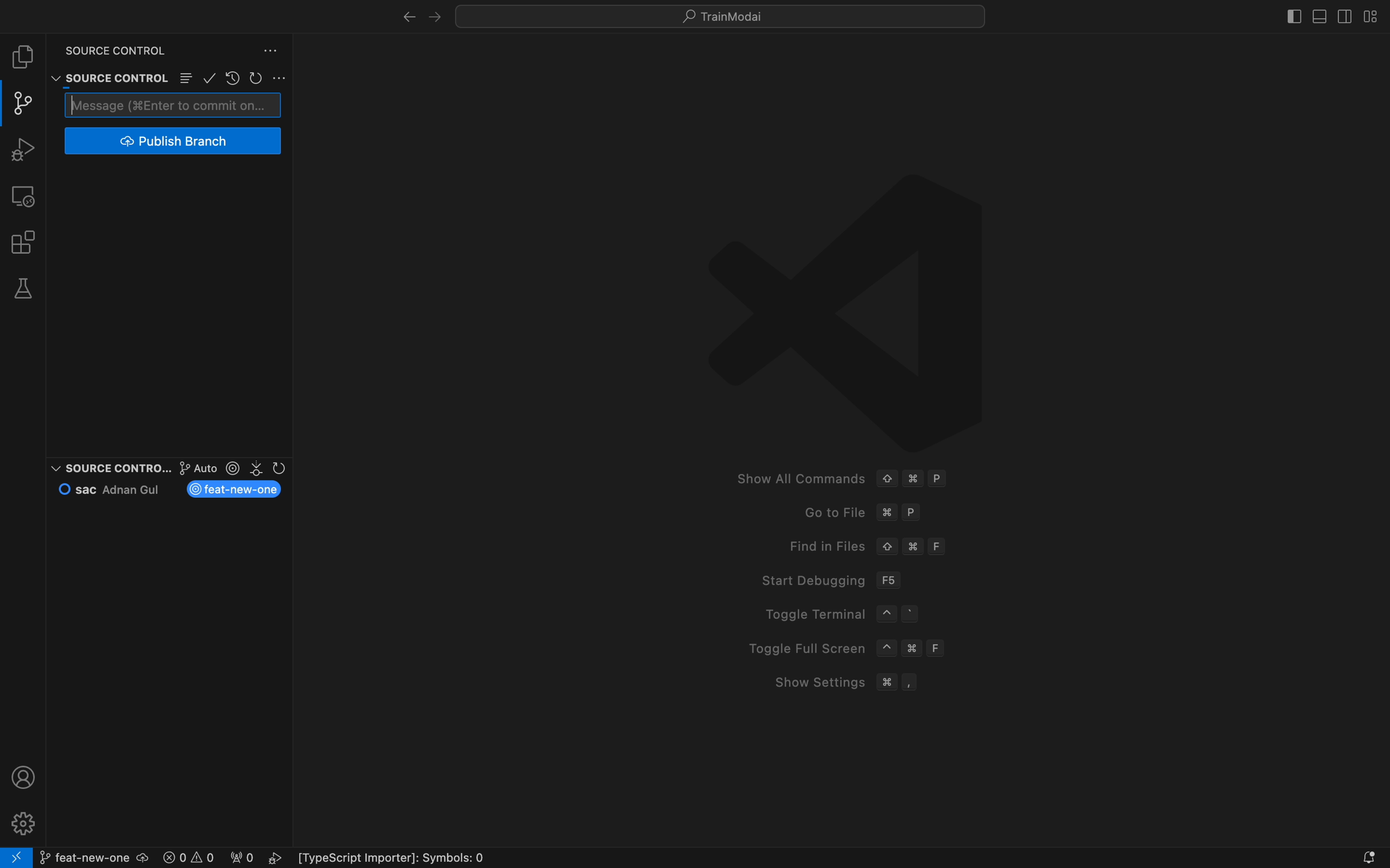 This screenshot has height=868, width=1390. What do you see at coordinates (171, 141) in the screenshot?
I see `publish branch` at bounding box center [171, 141].